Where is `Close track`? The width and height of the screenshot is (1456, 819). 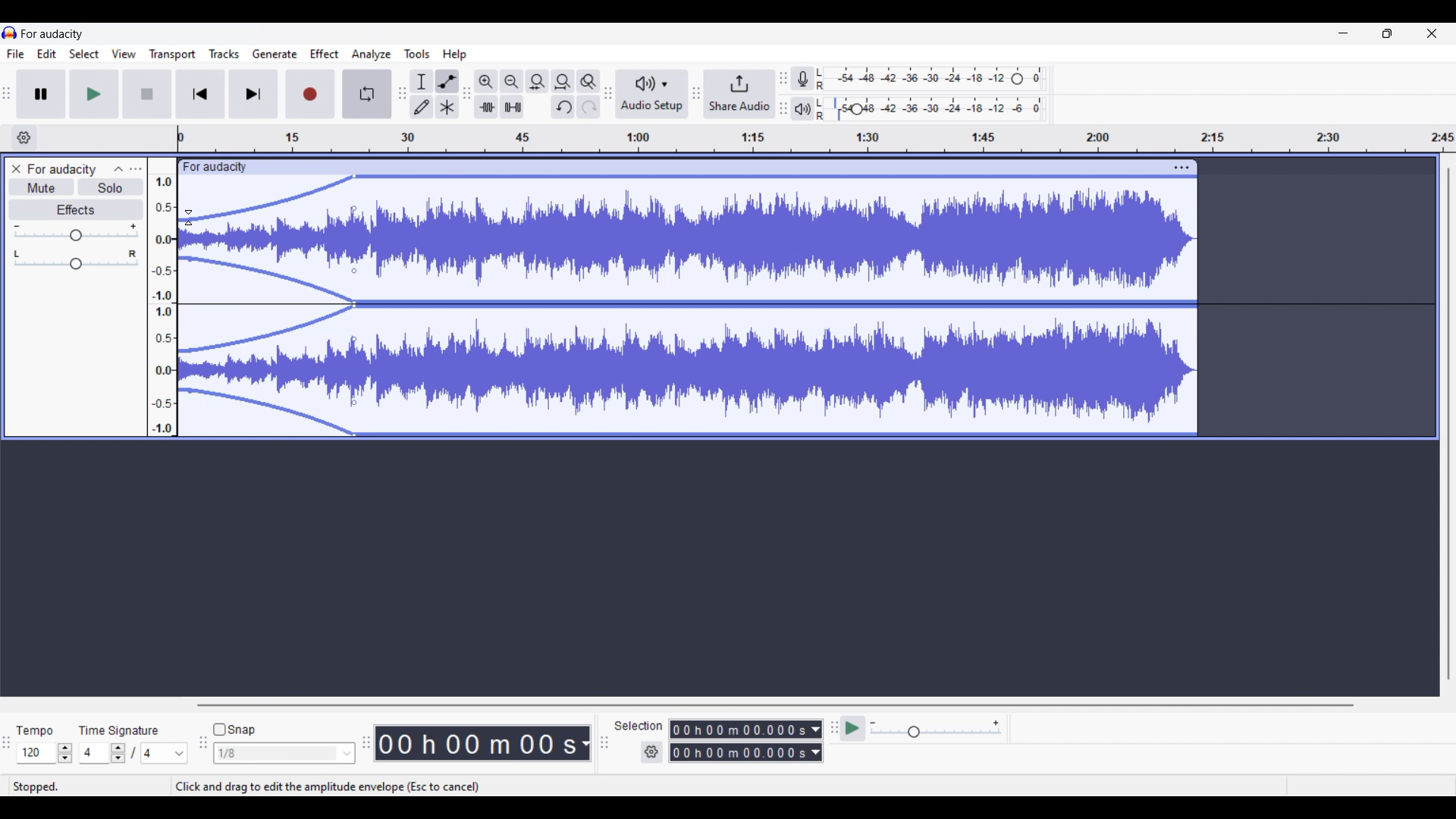
Close track is located at coordinates (17, 168).